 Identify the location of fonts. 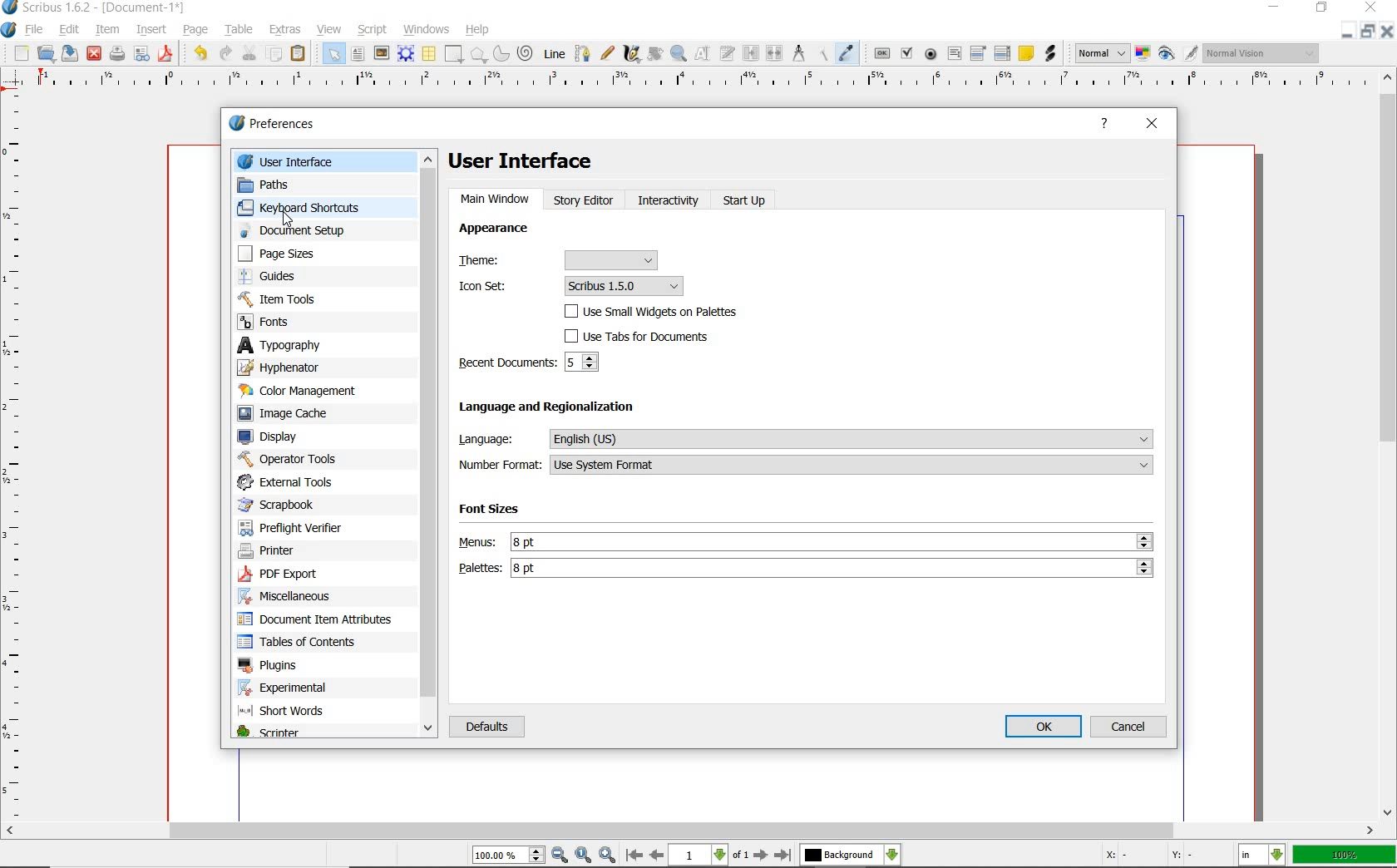
(282, 323).